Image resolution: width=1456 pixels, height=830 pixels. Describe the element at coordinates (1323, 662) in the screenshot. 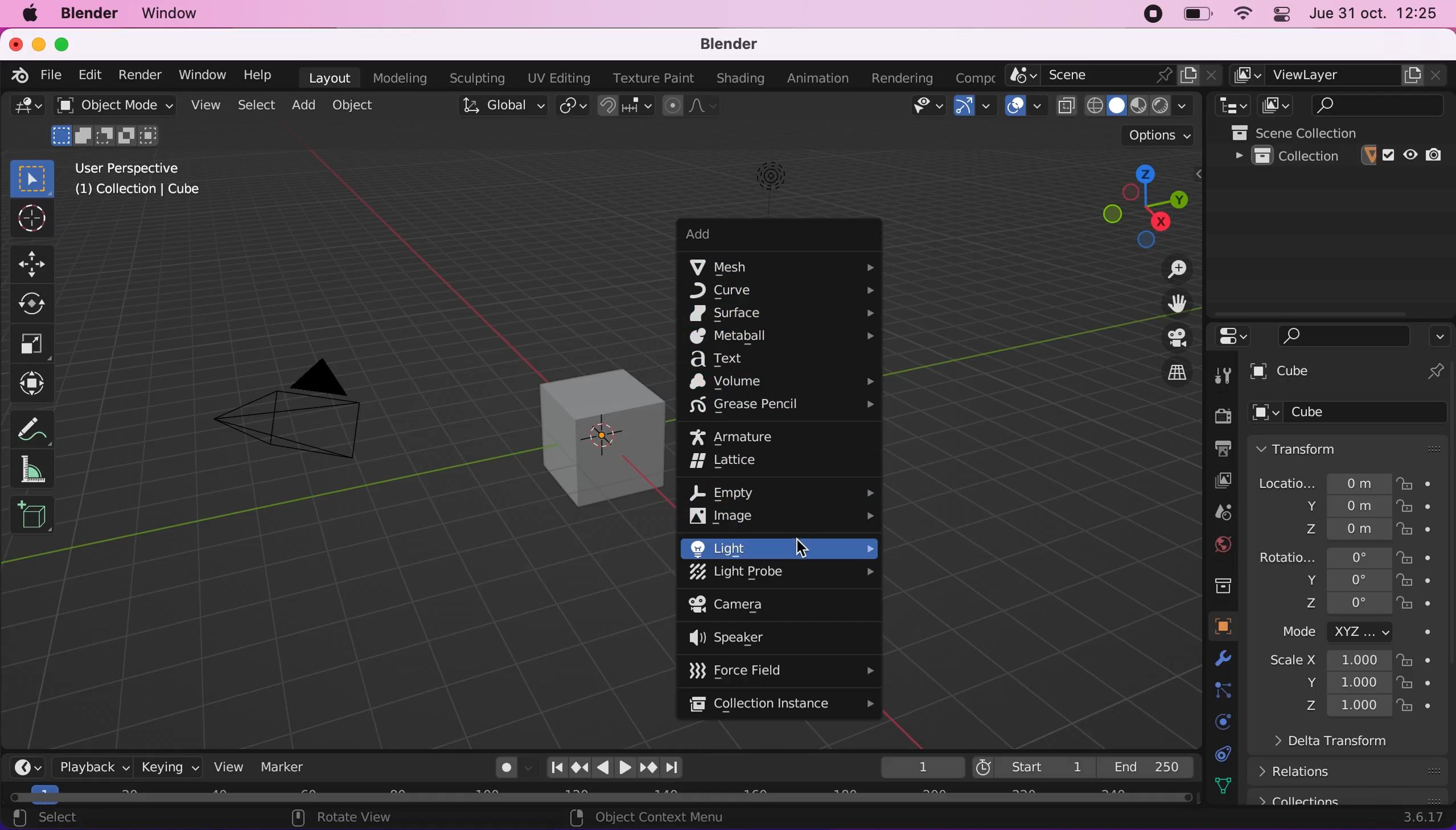

I see `scale x 1.000` at that location.